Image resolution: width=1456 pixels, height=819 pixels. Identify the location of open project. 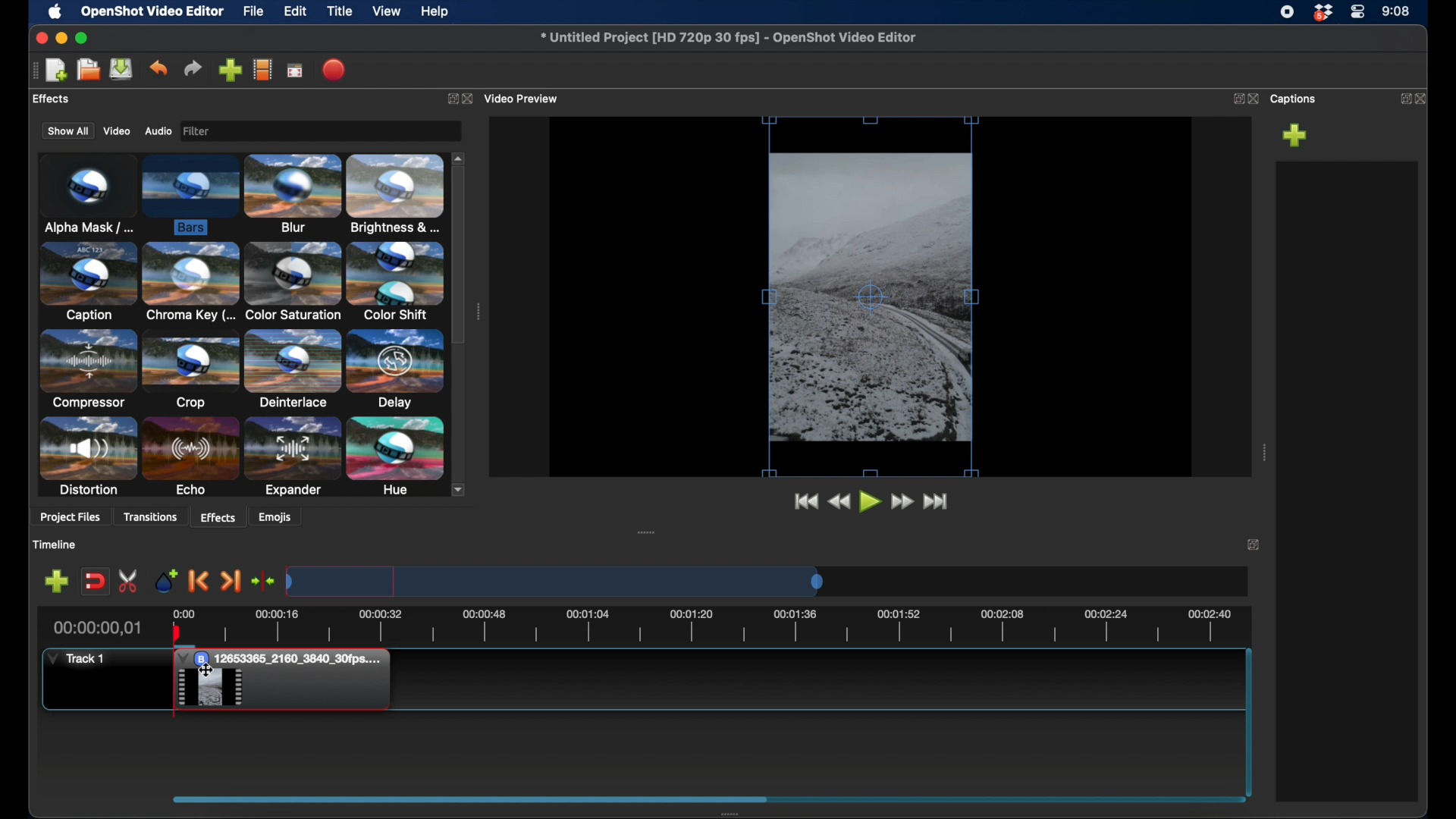
(86, 70).